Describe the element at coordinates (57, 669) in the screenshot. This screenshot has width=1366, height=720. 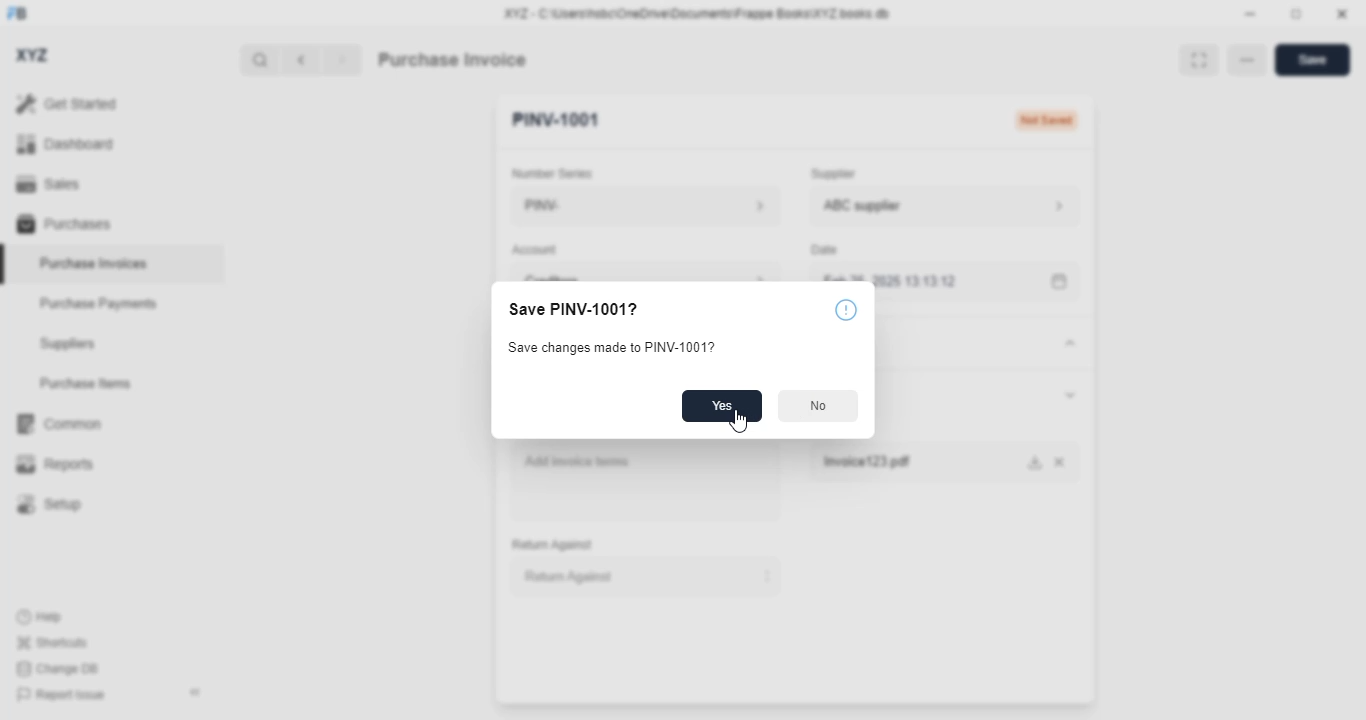
I see `change DB` at that location.